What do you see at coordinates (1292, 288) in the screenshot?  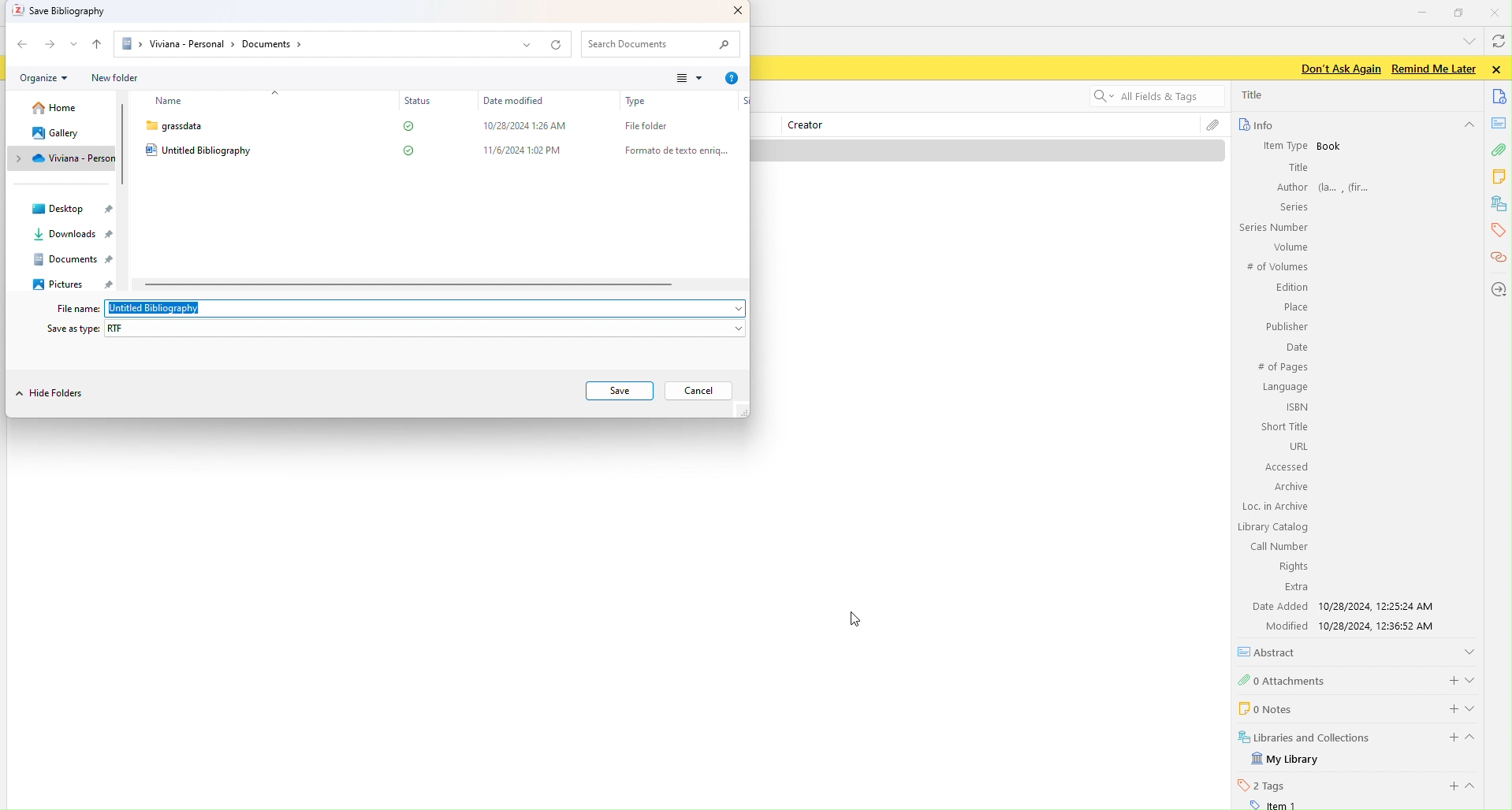 I see `Edition` at bounding box center [1292, 288].